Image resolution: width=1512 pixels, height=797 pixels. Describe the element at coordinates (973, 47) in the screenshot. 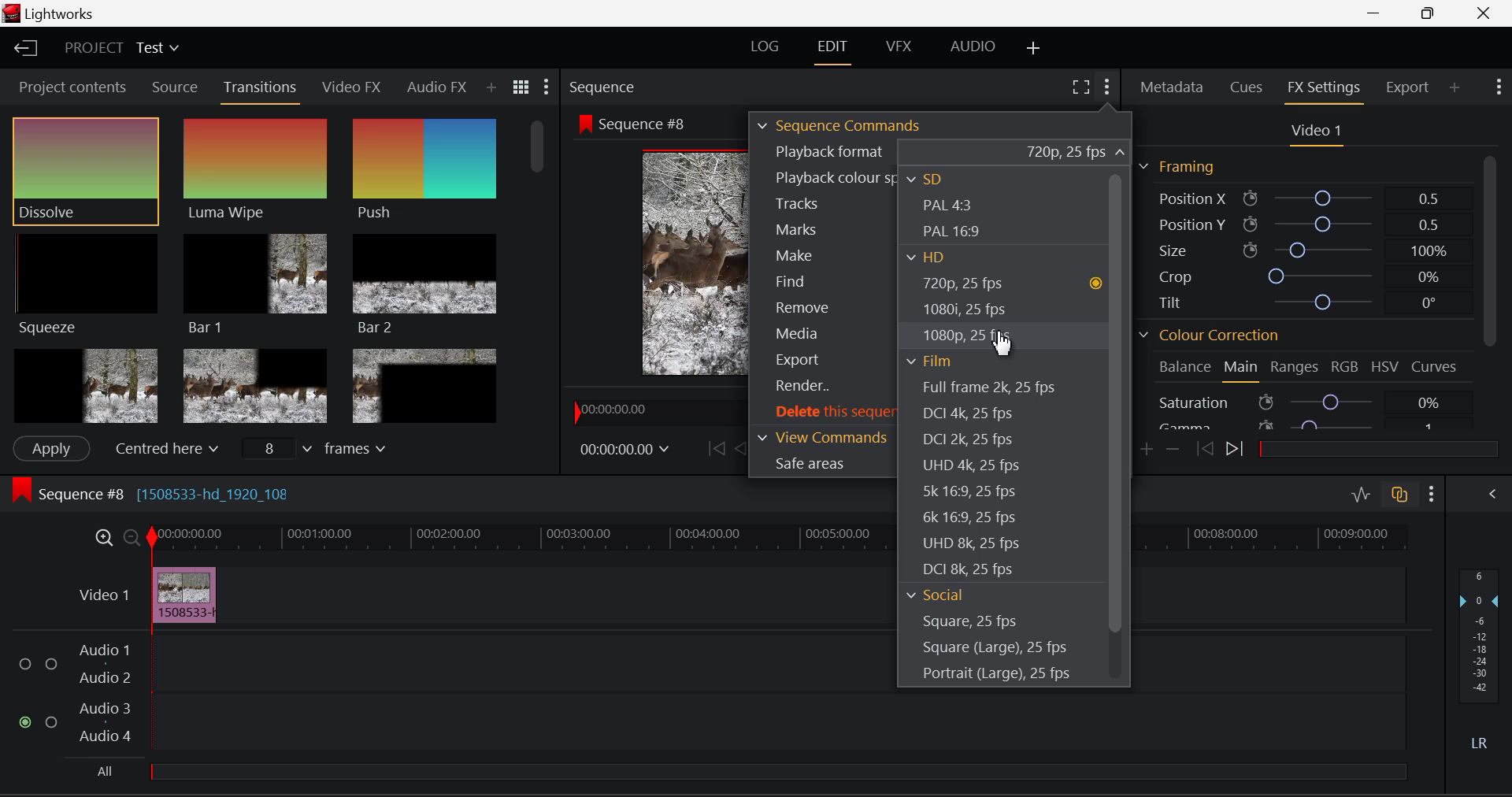

I see `AUDIO Layout` at that location.